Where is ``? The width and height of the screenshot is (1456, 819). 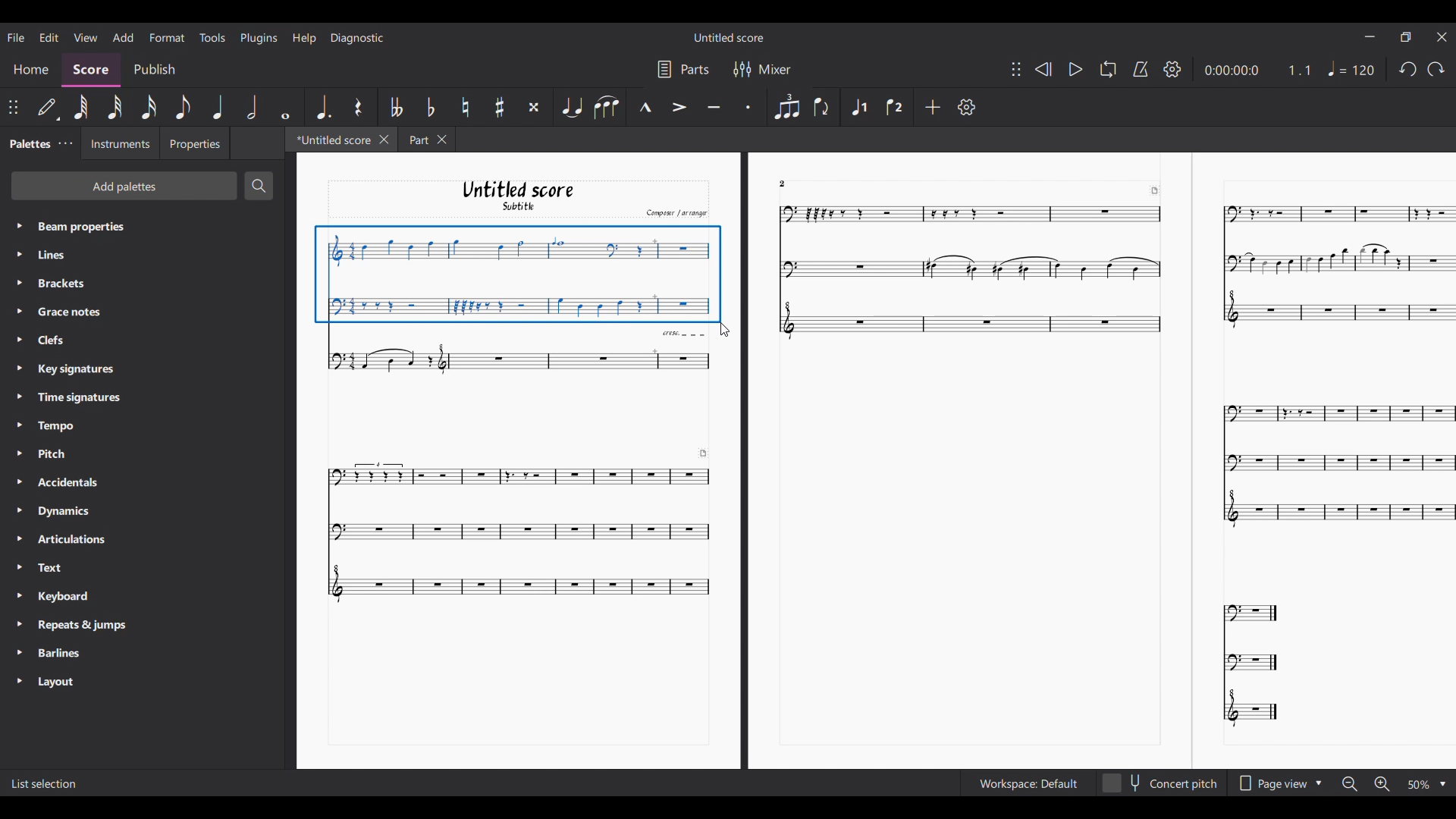  is located at coordinates (21, 628).